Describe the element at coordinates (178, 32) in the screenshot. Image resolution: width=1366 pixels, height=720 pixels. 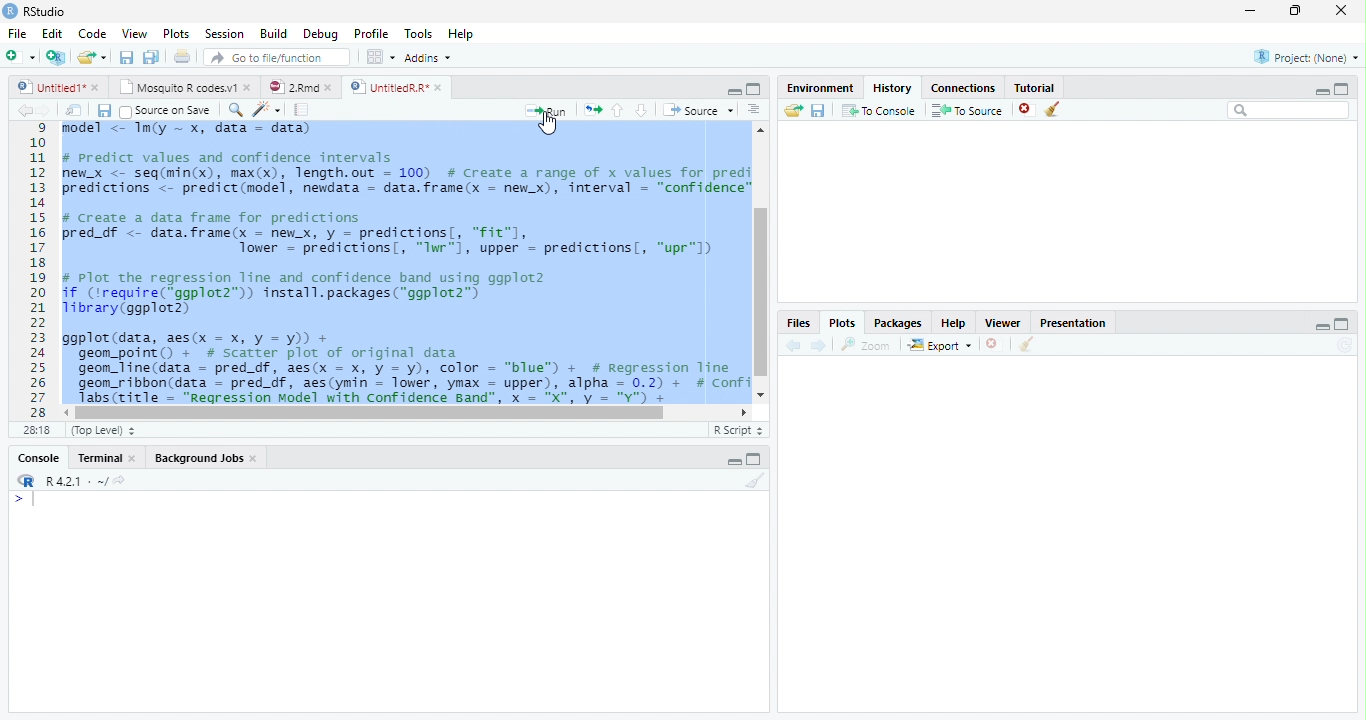
I see `Plots` at that location.